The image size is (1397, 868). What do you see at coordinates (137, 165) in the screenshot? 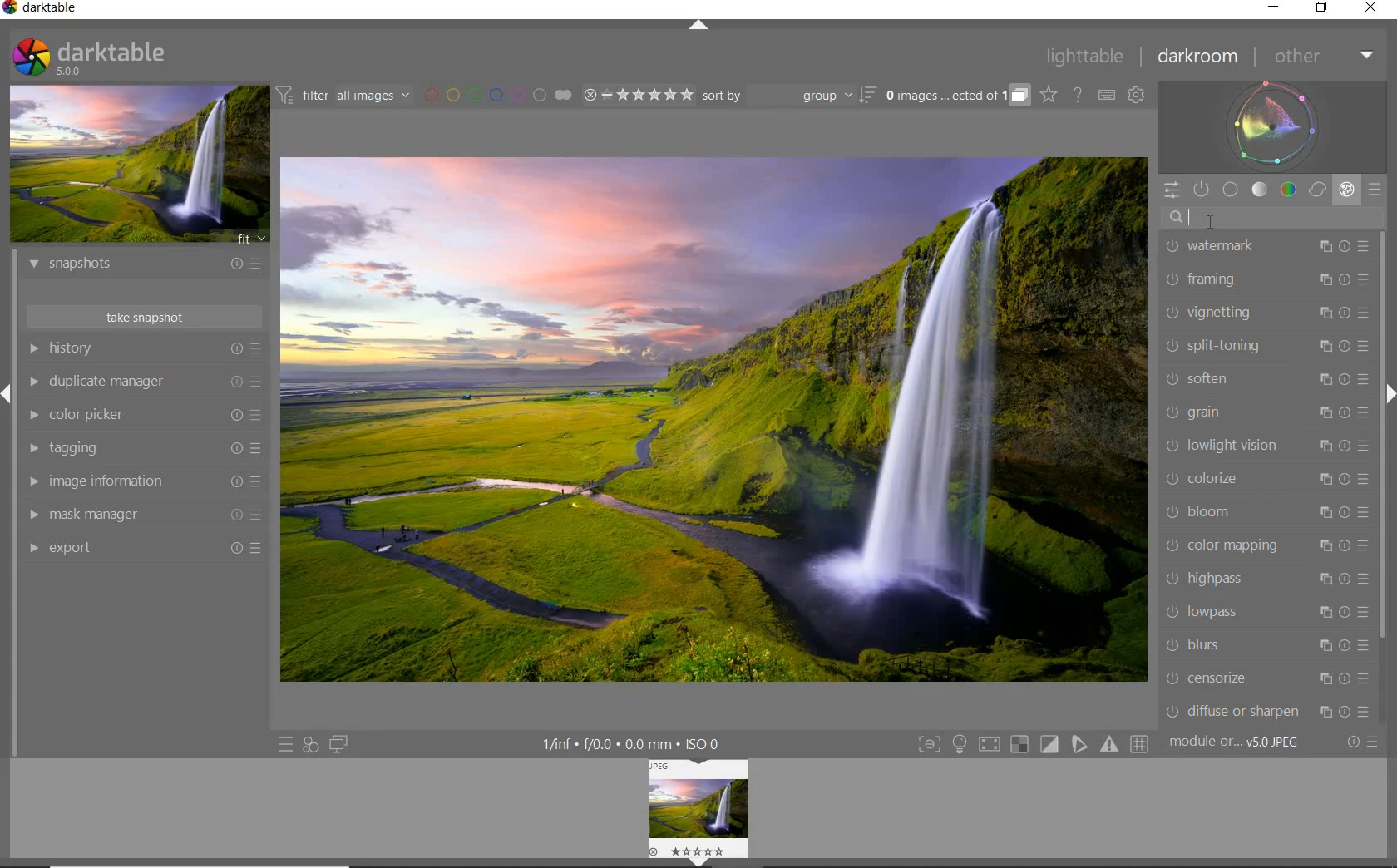
I see `IMAGE PREVIEW` at bounding box center [137, 165].